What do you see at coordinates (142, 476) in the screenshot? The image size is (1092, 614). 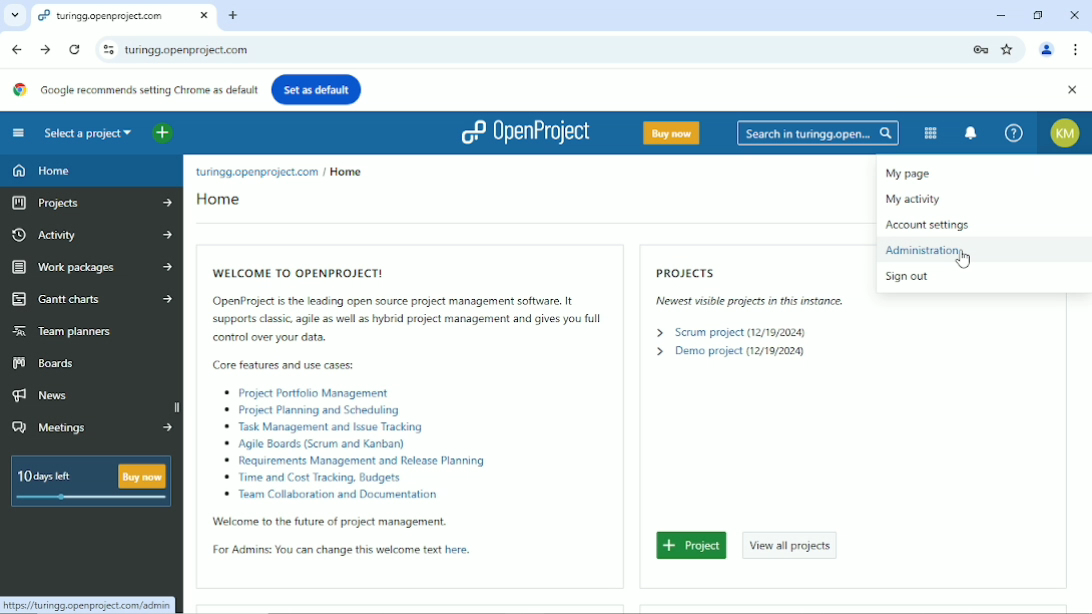 I see `buy now` at bounding box center [142, 476].